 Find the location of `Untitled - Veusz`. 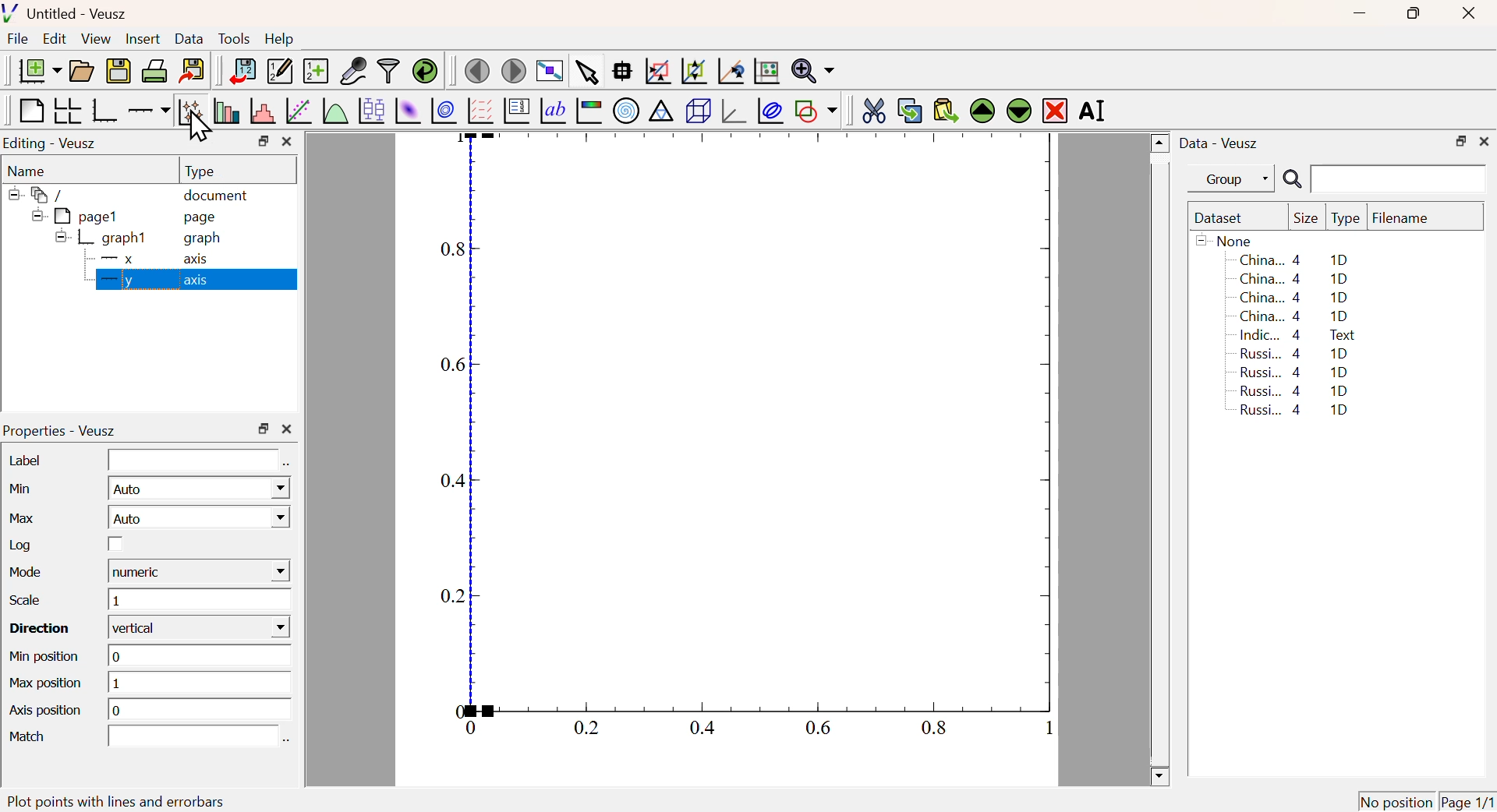

Untitled - Veusz is located at coordinates (69, 15).